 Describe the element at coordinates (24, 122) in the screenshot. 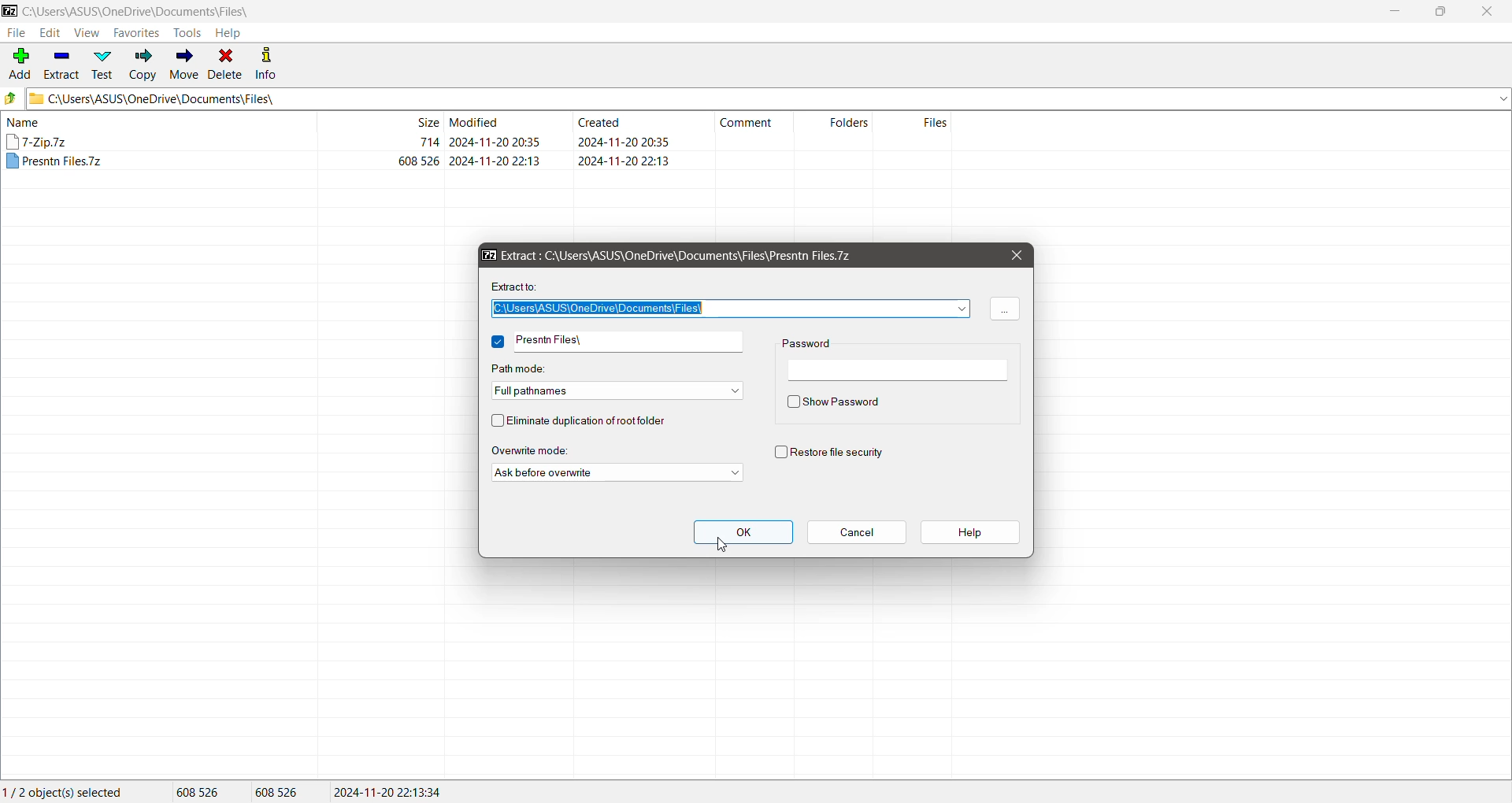

I see `name` at that location.